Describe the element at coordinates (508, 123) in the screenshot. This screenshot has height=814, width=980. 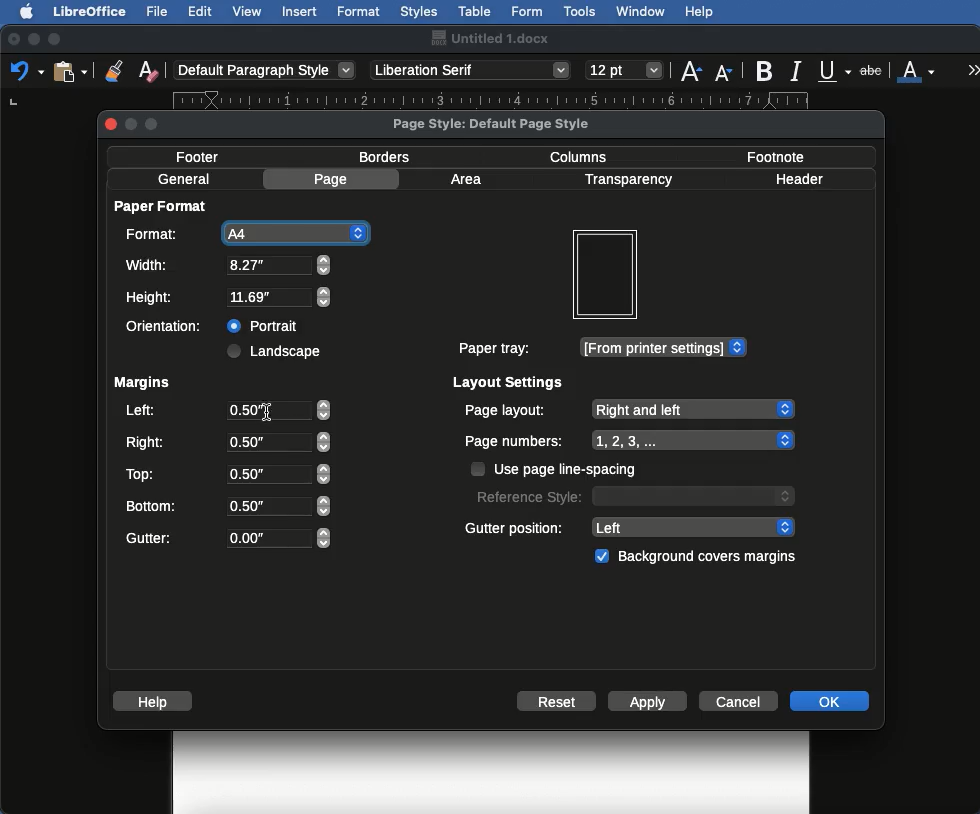
I see `Page style` at that location.